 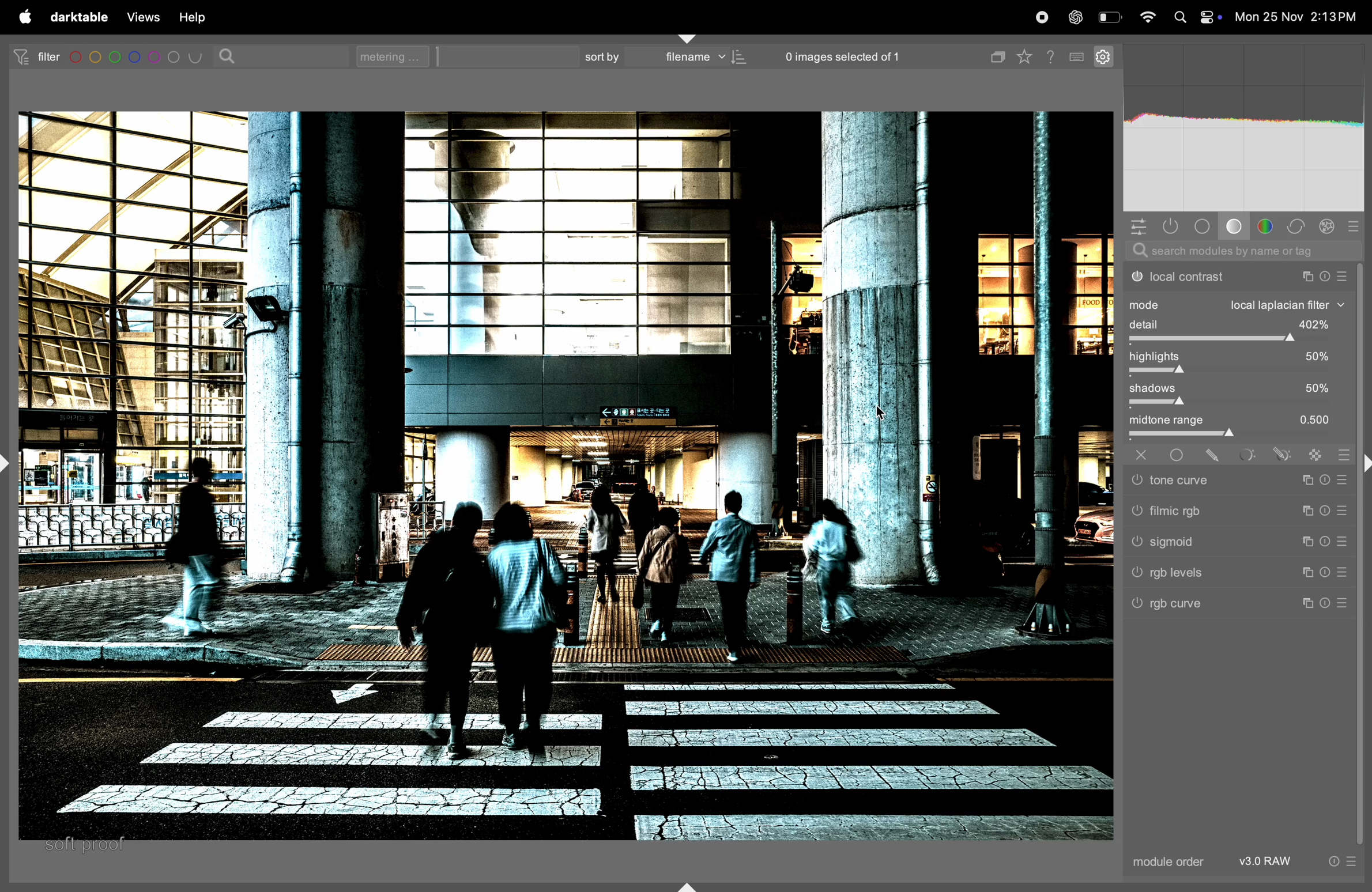 I want to click on preset, so click(x=1343, y=509).